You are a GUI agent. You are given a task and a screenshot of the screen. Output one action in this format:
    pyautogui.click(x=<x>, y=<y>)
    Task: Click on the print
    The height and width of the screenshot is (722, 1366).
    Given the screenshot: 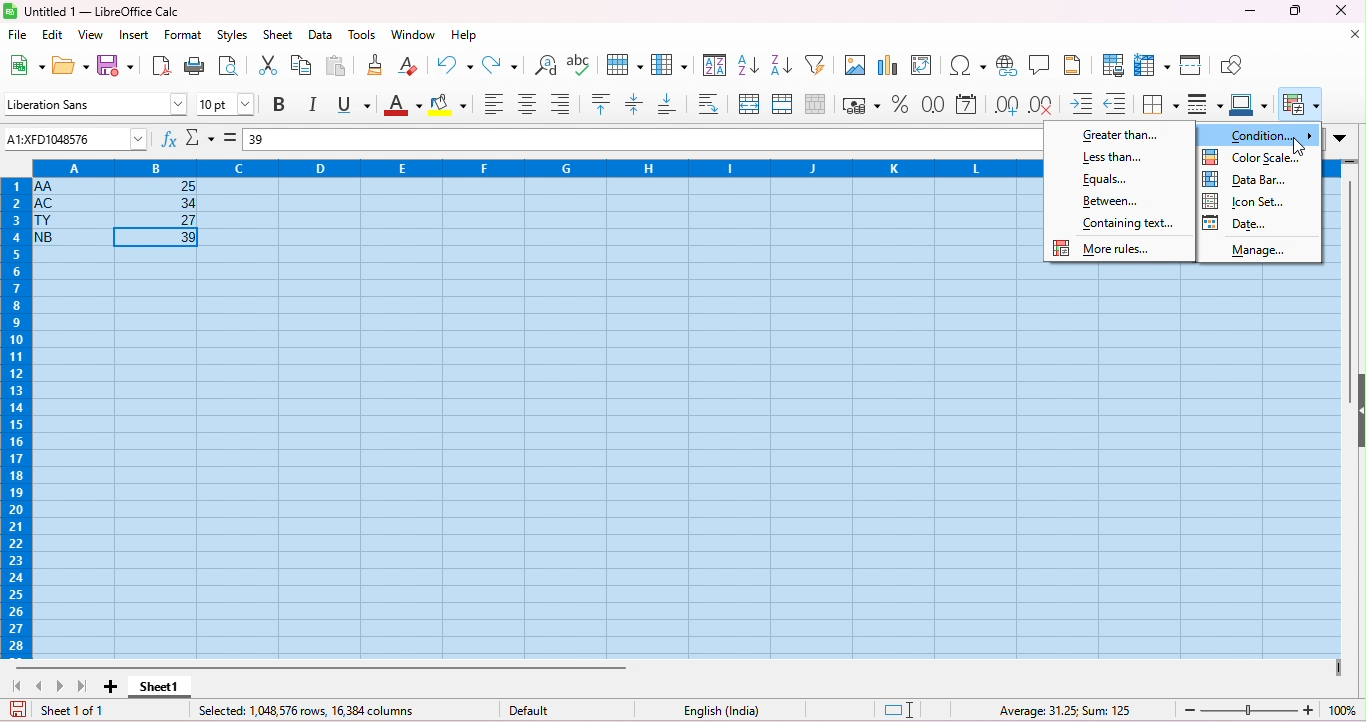 What is the action you would take?
    pyautogui.click(x=194, y=65)
    